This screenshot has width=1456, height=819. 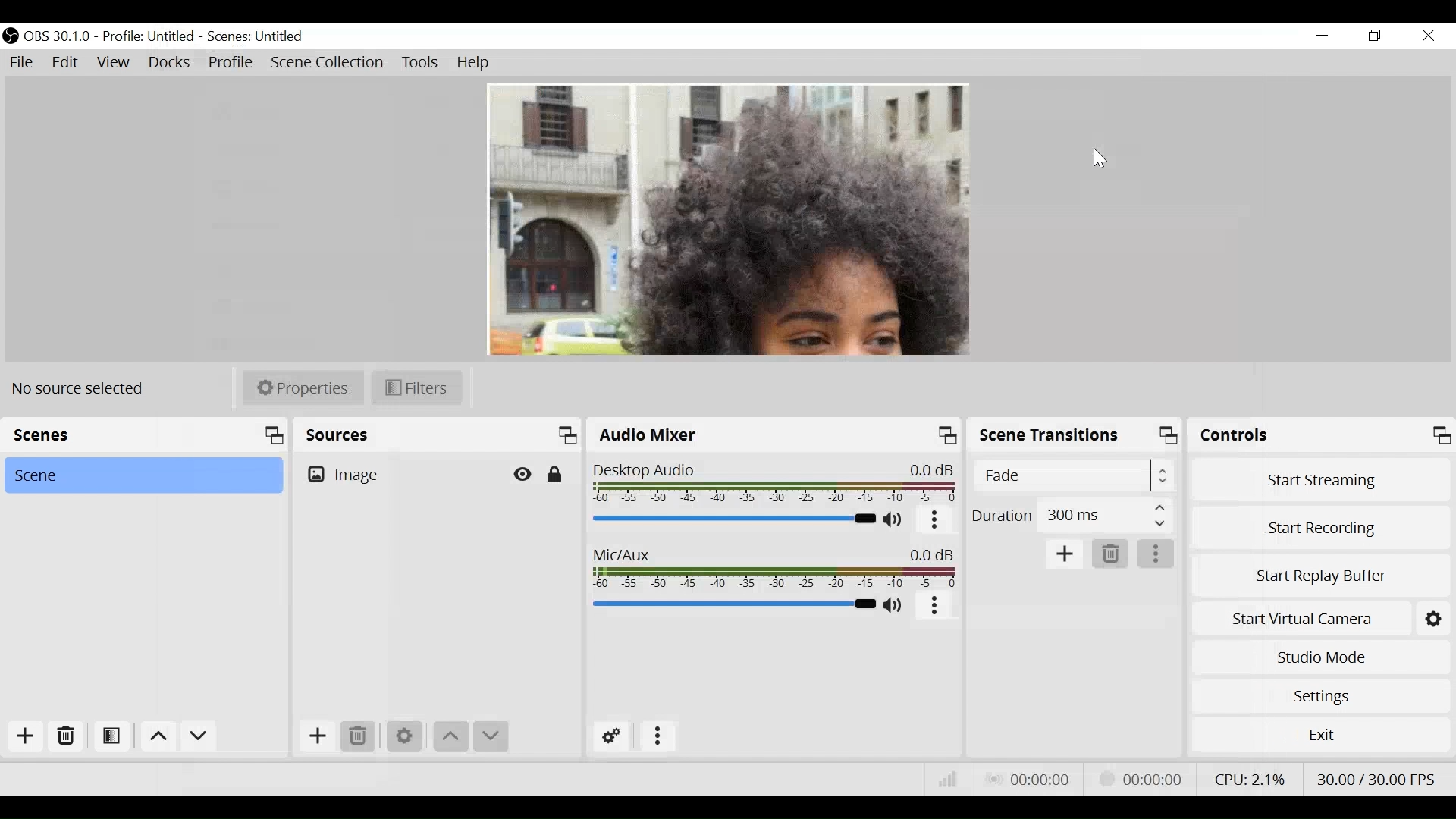 I want to click on Move Up, so click(x=155, y=738).